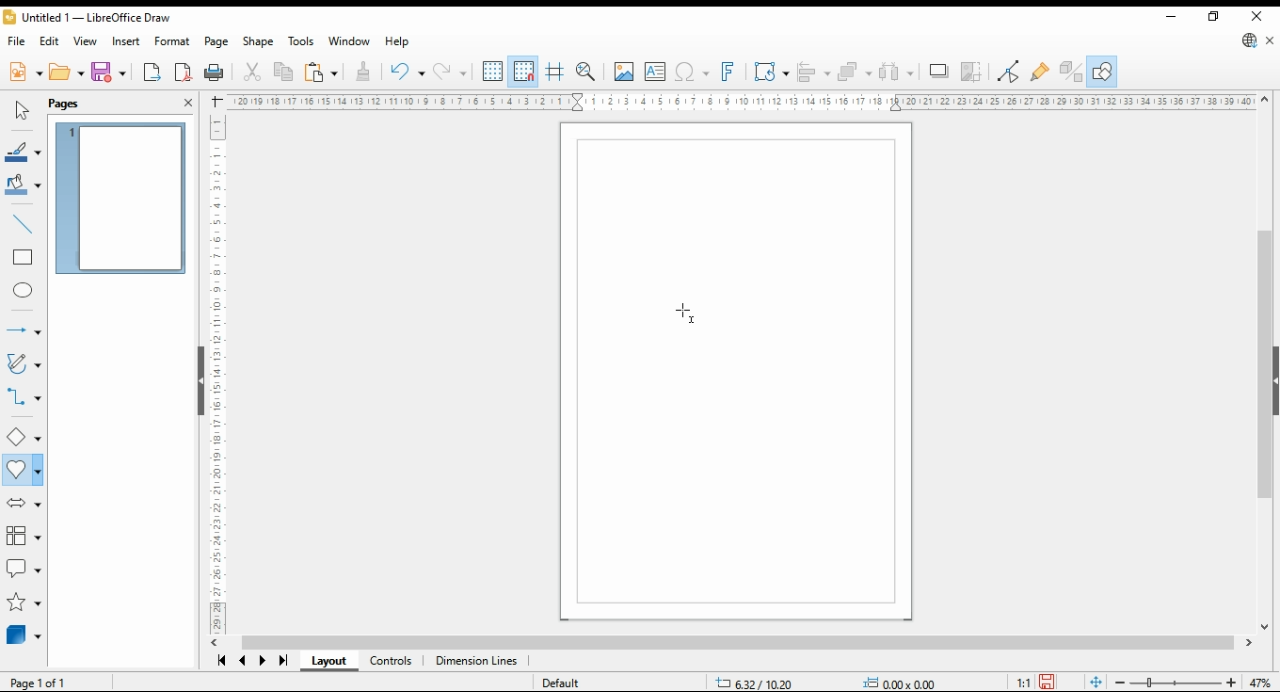 This screenshot has height=692, width=1280. Describe the element at coordinates (23, 603) in the screenshot. I see `stars and banners` at that location.